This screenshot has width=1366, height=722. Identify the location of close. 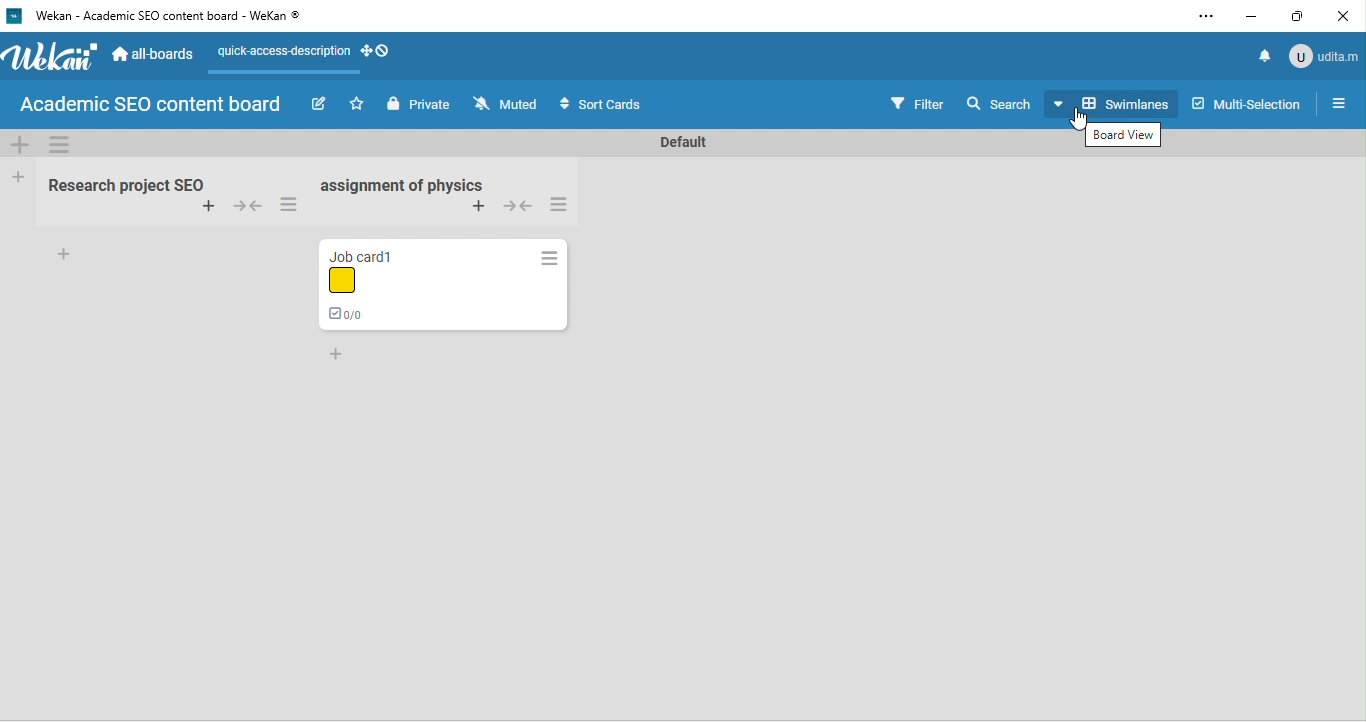
(1346, 15).